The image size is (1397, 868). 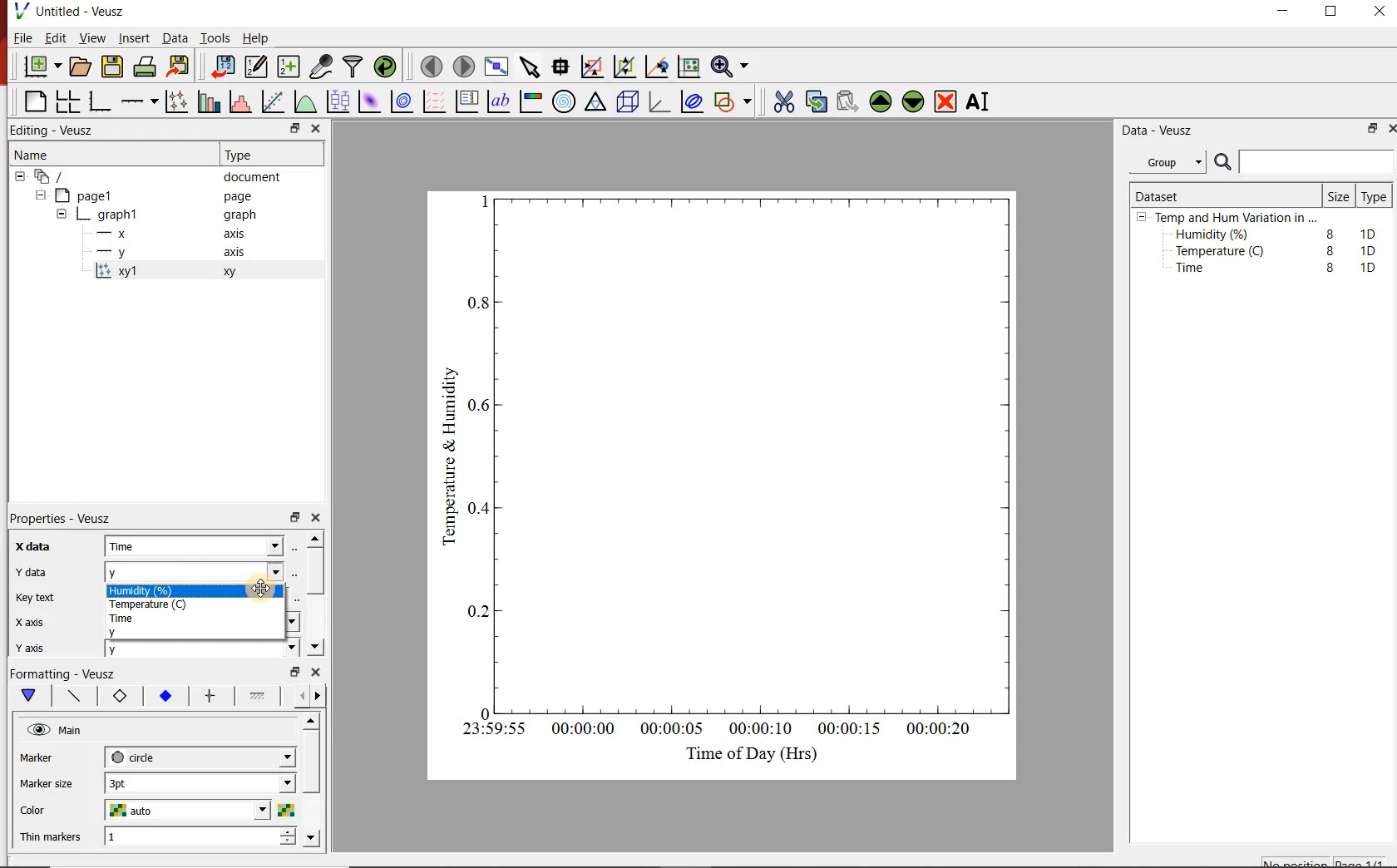 What do you see at coordinates (56, 40) in the screenshot?
I see `Edit` at bounding box center [56, 40].